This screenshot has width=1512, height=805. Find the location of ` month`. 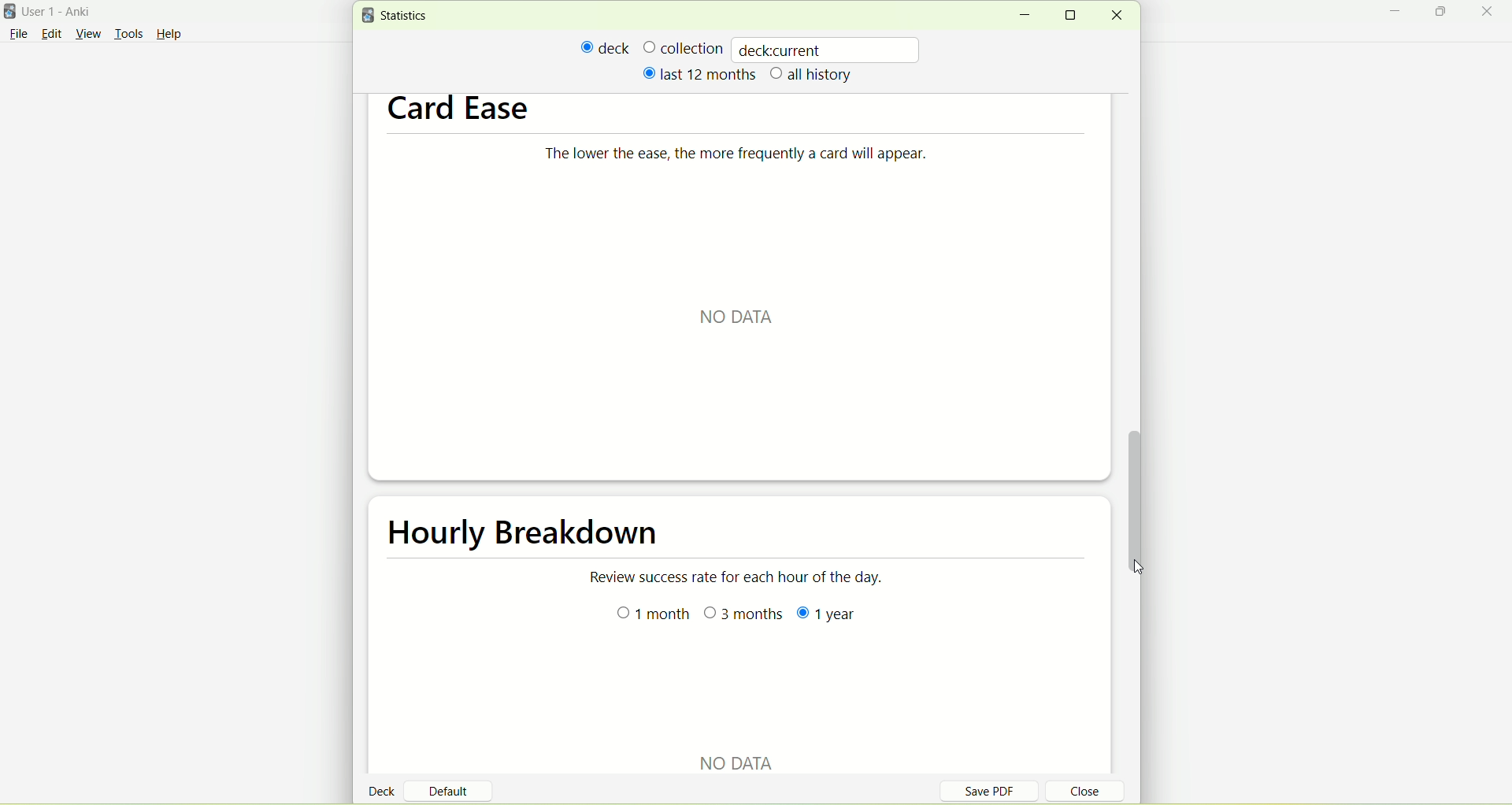

 month is located at coordinates (650, 616).